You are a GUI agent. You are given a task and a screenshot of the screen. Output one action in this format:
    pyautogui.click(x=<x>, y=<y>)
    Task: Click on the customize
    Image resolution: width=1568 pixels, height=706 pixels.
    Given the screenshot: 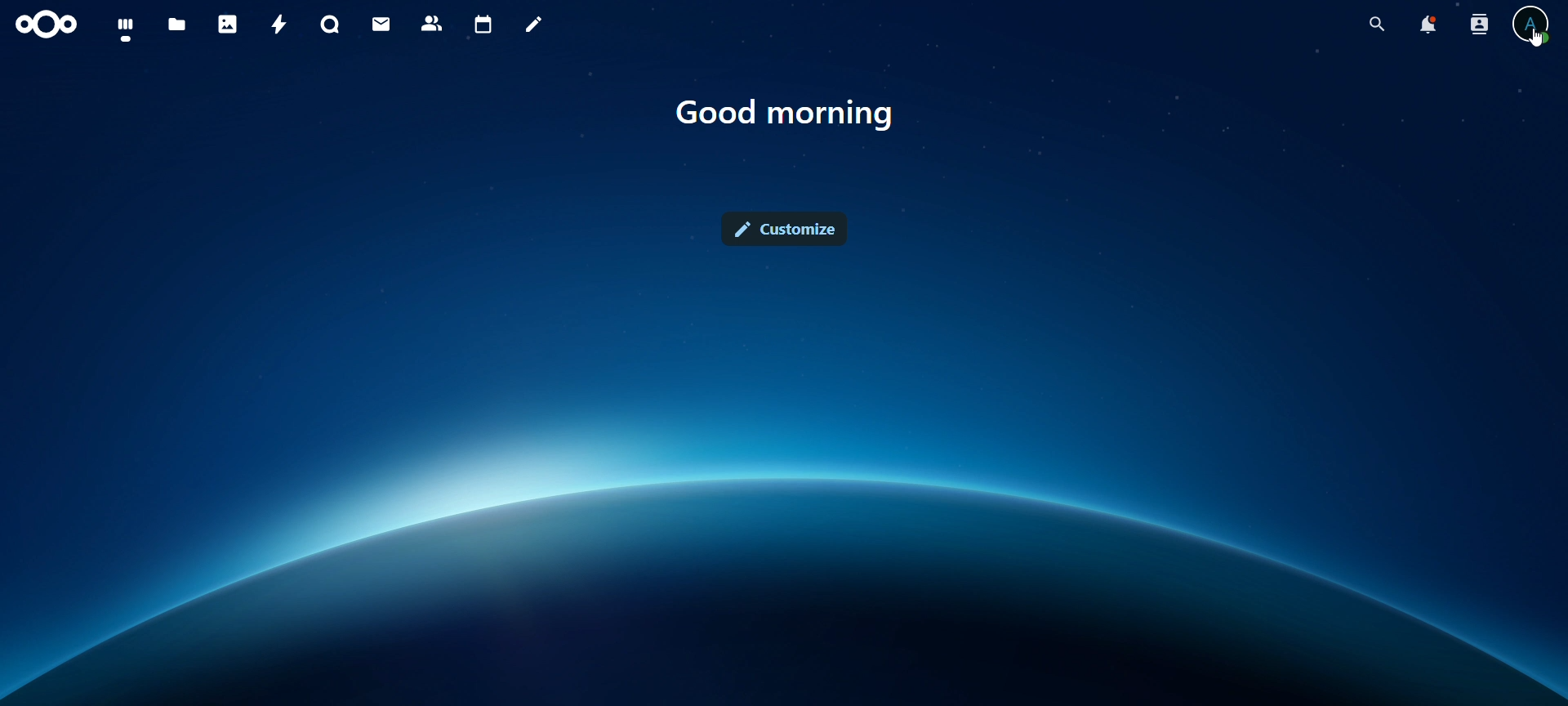 What is the action you would take?
    pyautogui.click(x=786, y=229)
    